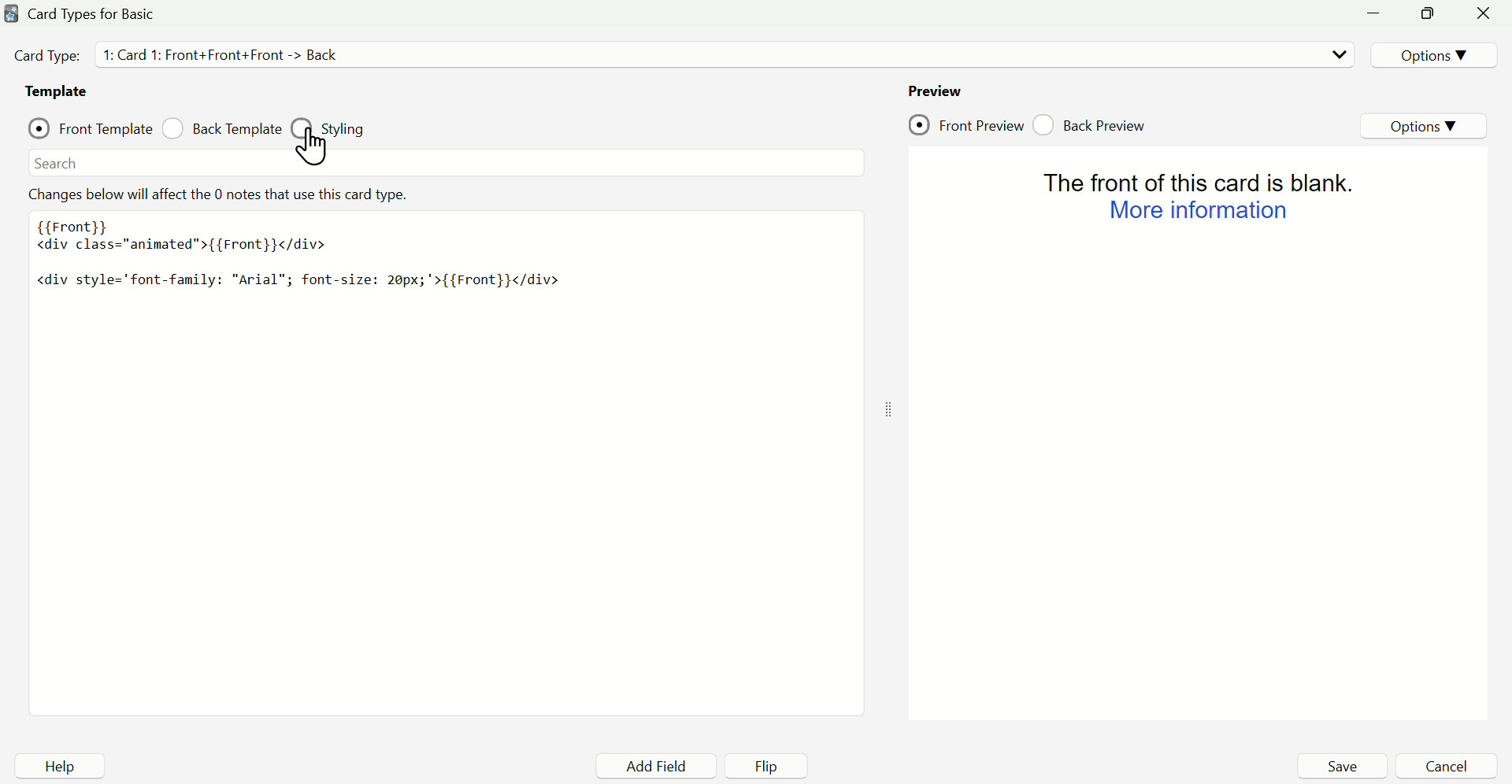  What do you see at coordinates (1428, 15) in the screenshot?
I see `minimize` at bounding box center [1428, 15].